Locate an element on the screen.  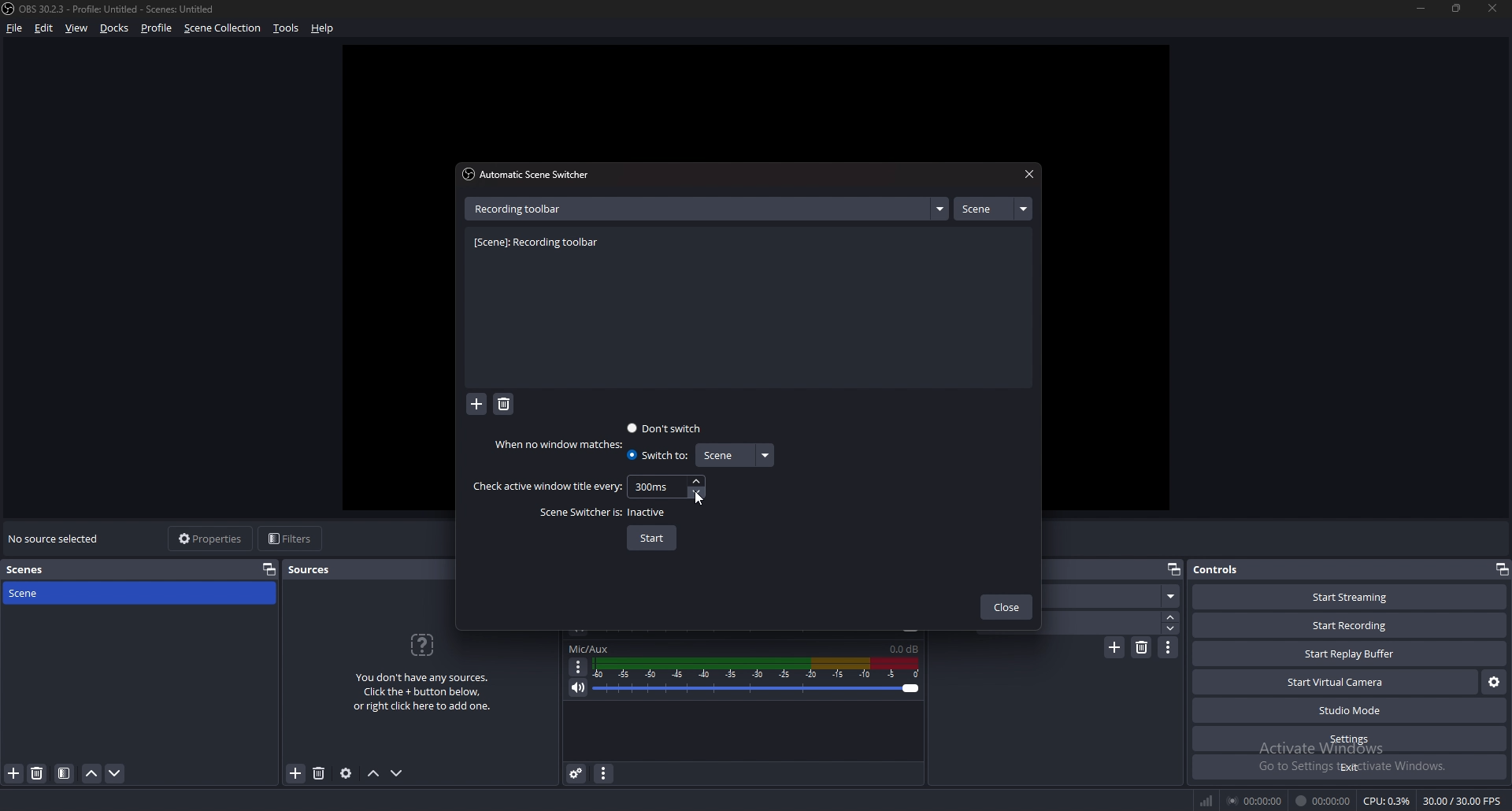
move scene down is located at coordinates (116, 773).